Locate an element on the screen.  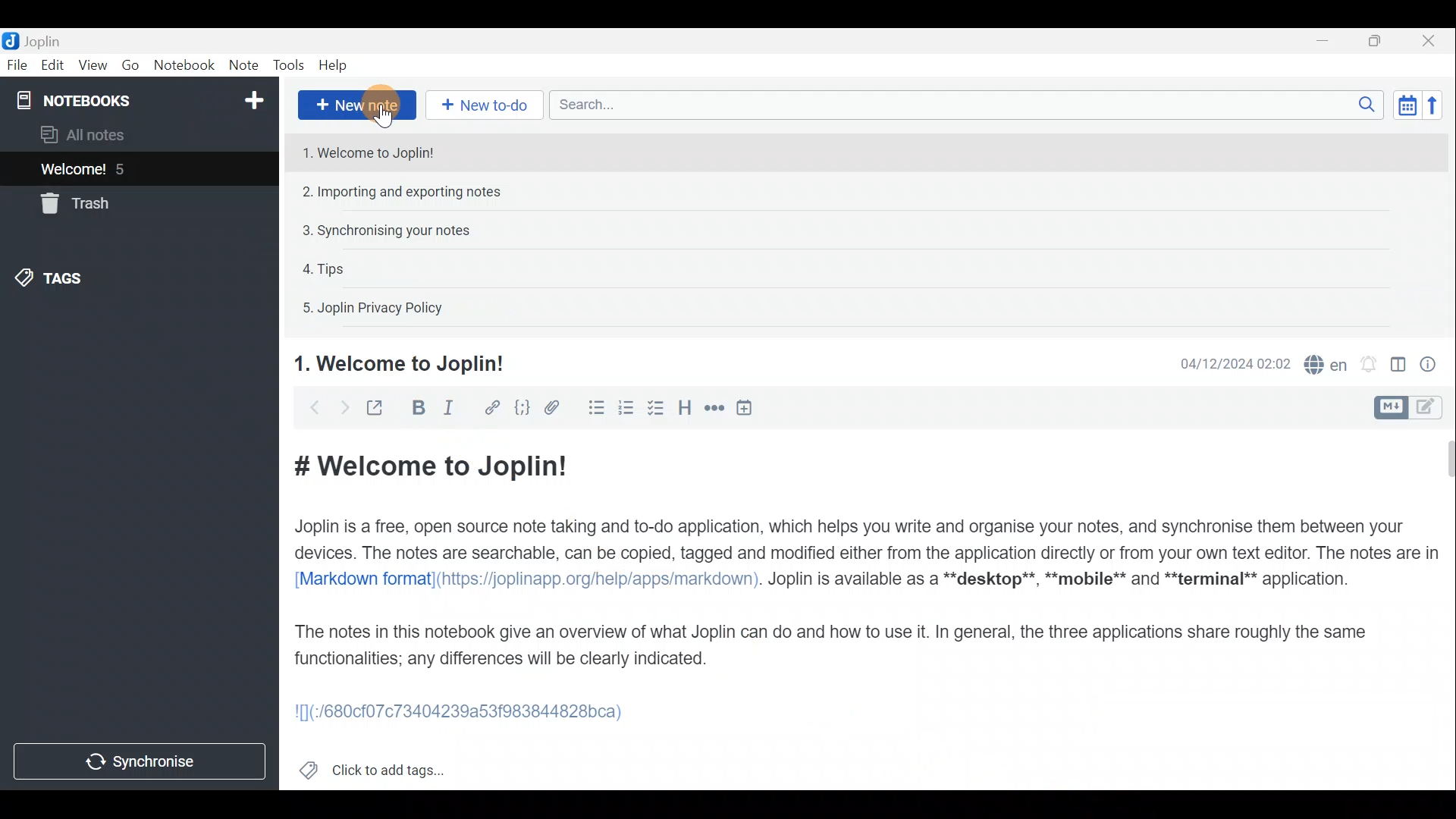
Toggle editor layout is located at coordinates (1399, 367).